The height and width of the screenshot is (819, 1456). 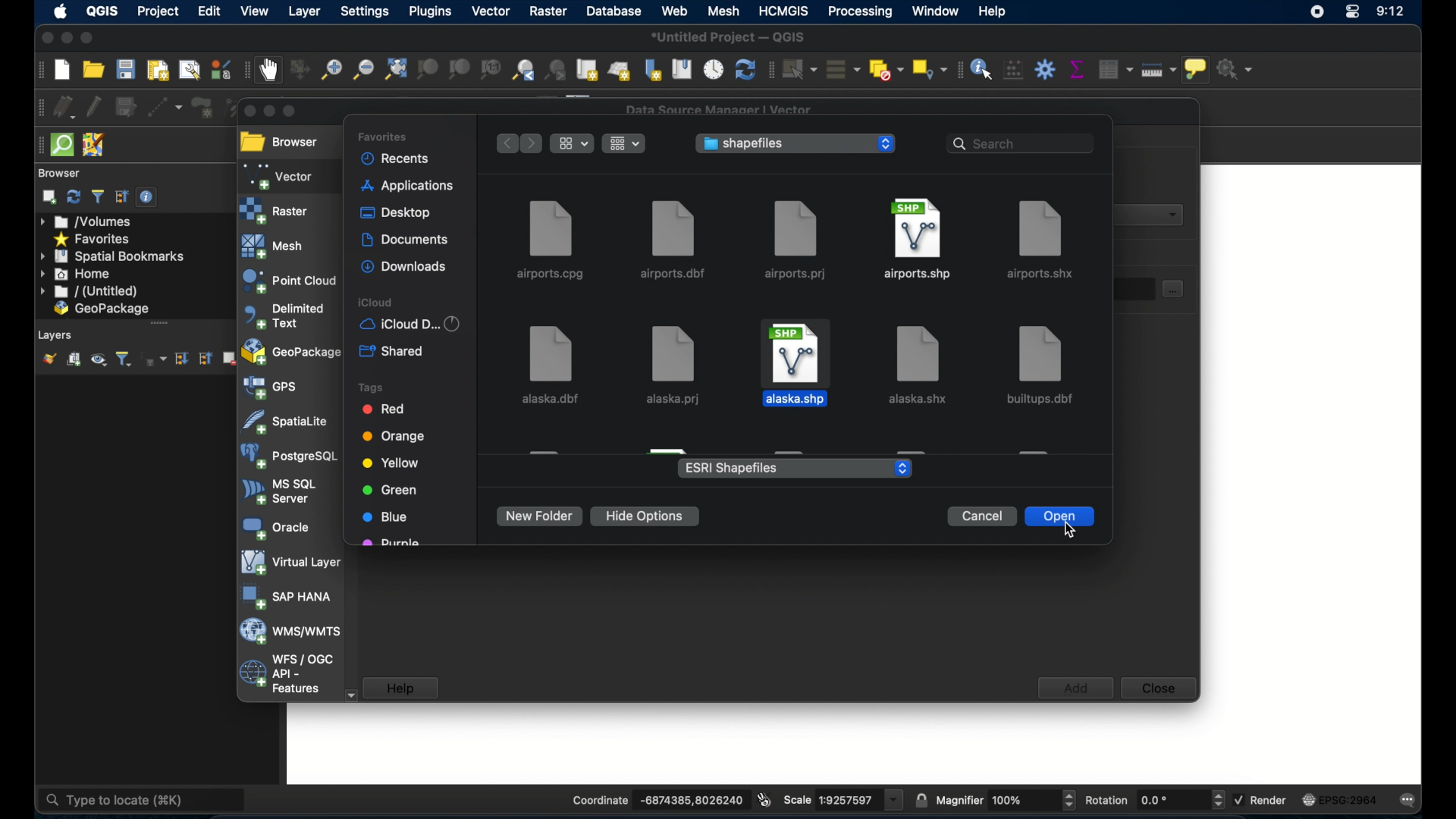 What do you see at coordinates (286, 422) in the screenshot?
I see `spatiallite` at bounding box center [286, 422].